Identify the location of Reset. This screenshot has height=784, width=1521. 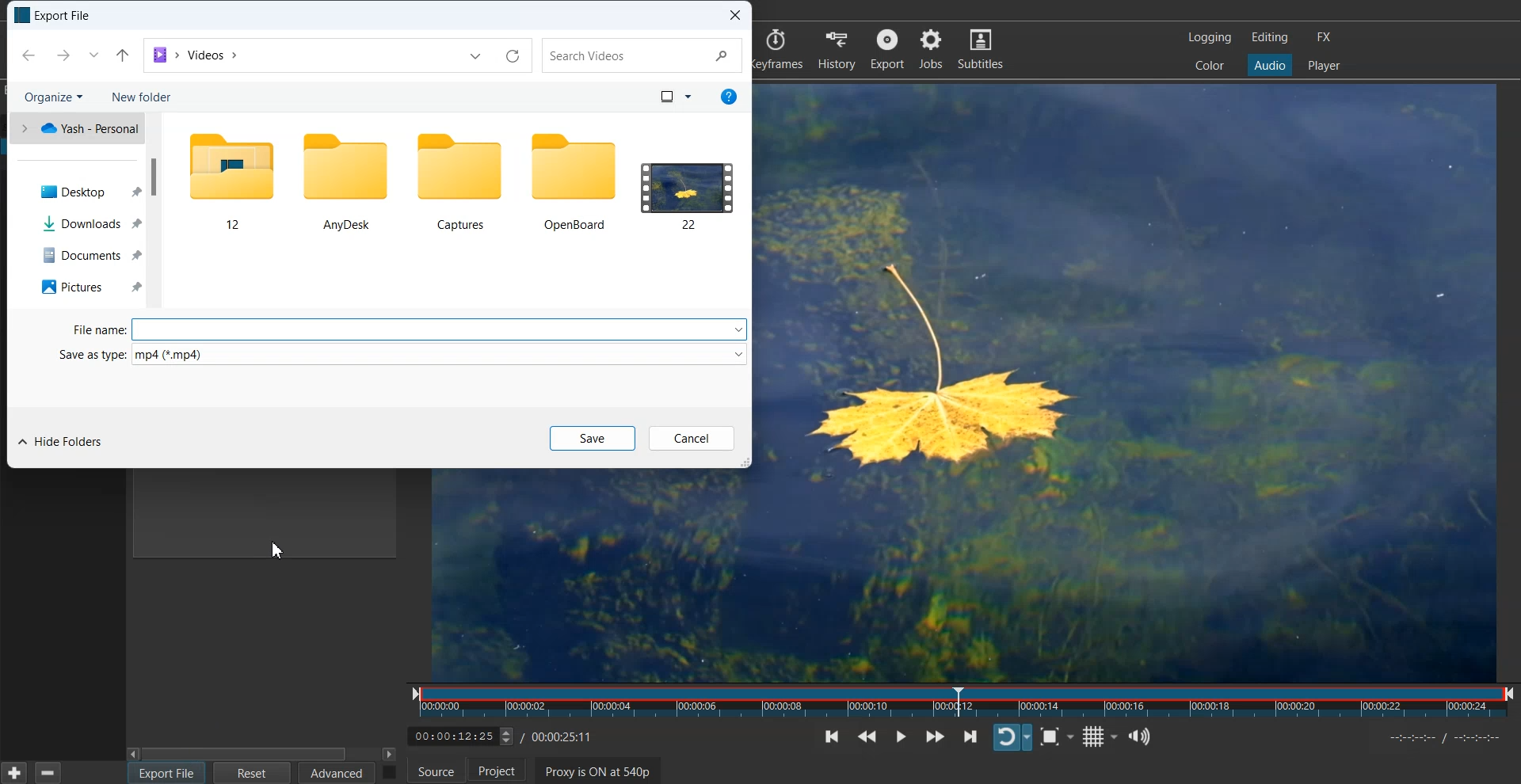
(253, 773).